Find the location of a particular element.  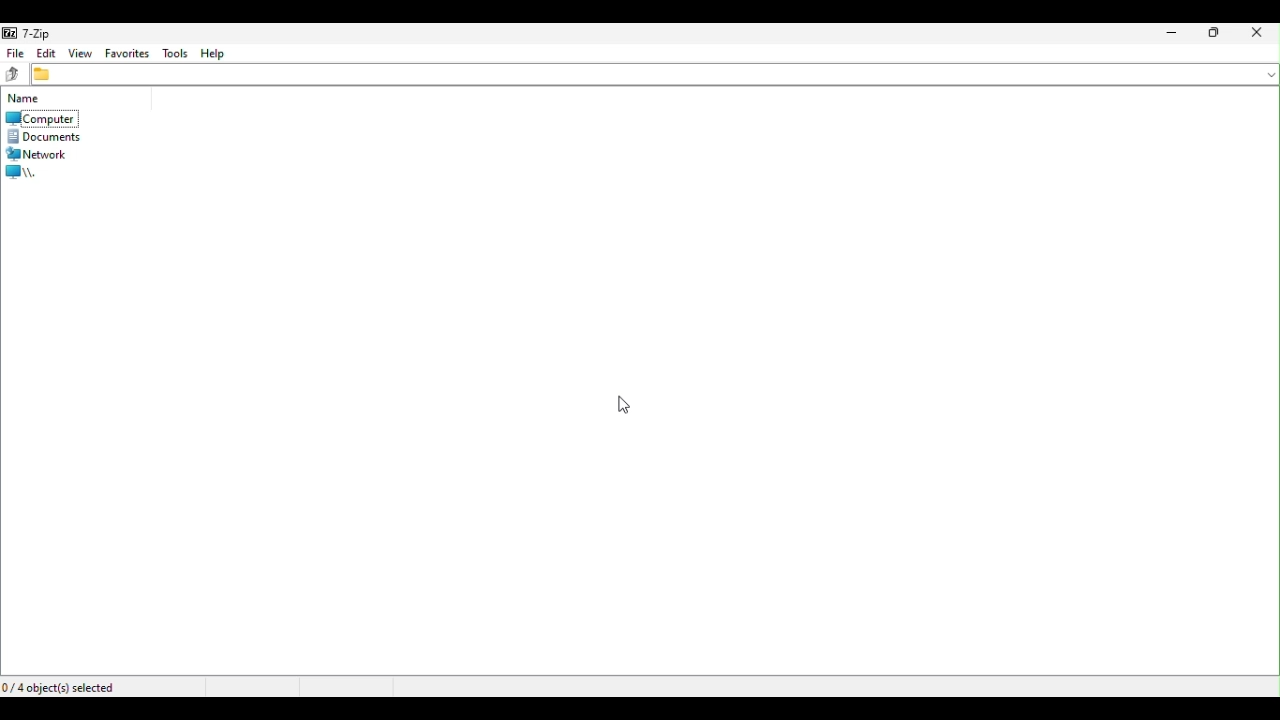

Minimise is located at coordinates (1169, 34).